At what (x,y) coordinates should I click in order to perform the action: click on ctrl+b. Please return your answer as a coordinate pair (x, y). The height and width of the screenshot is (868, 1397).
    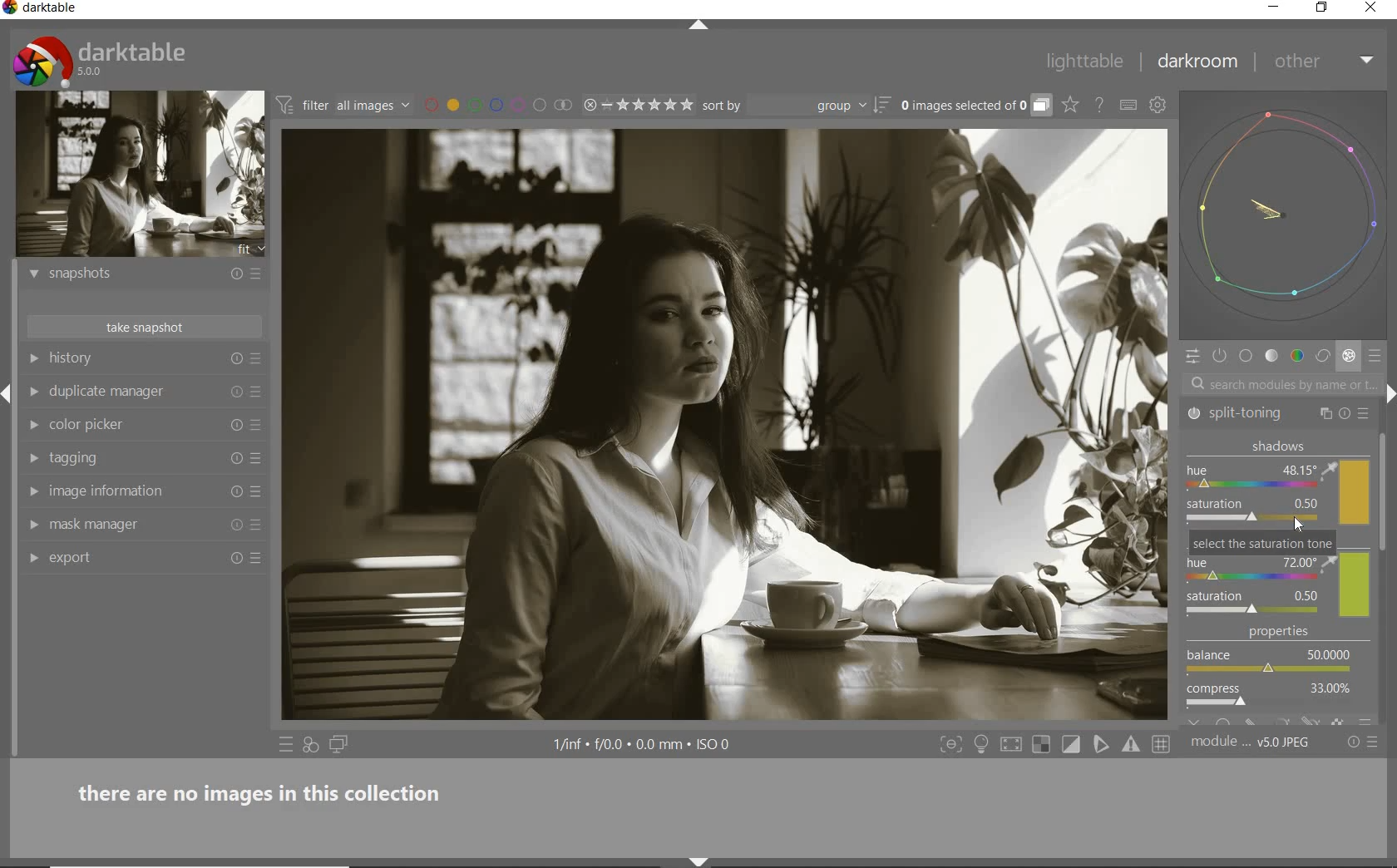
    Looking at the image, I should click on (983, 744).